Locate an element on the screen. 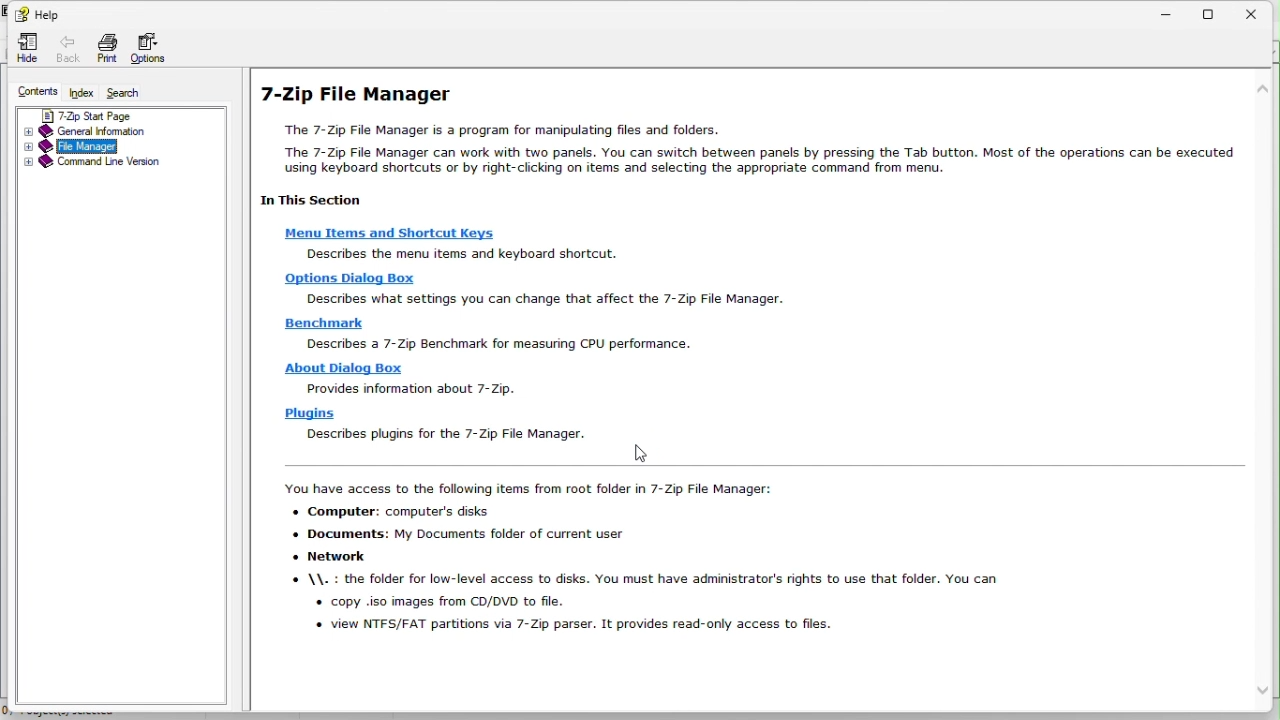 The width and height of the screenshot is (1280, 720). cursor is located at coordinates (637, 448).